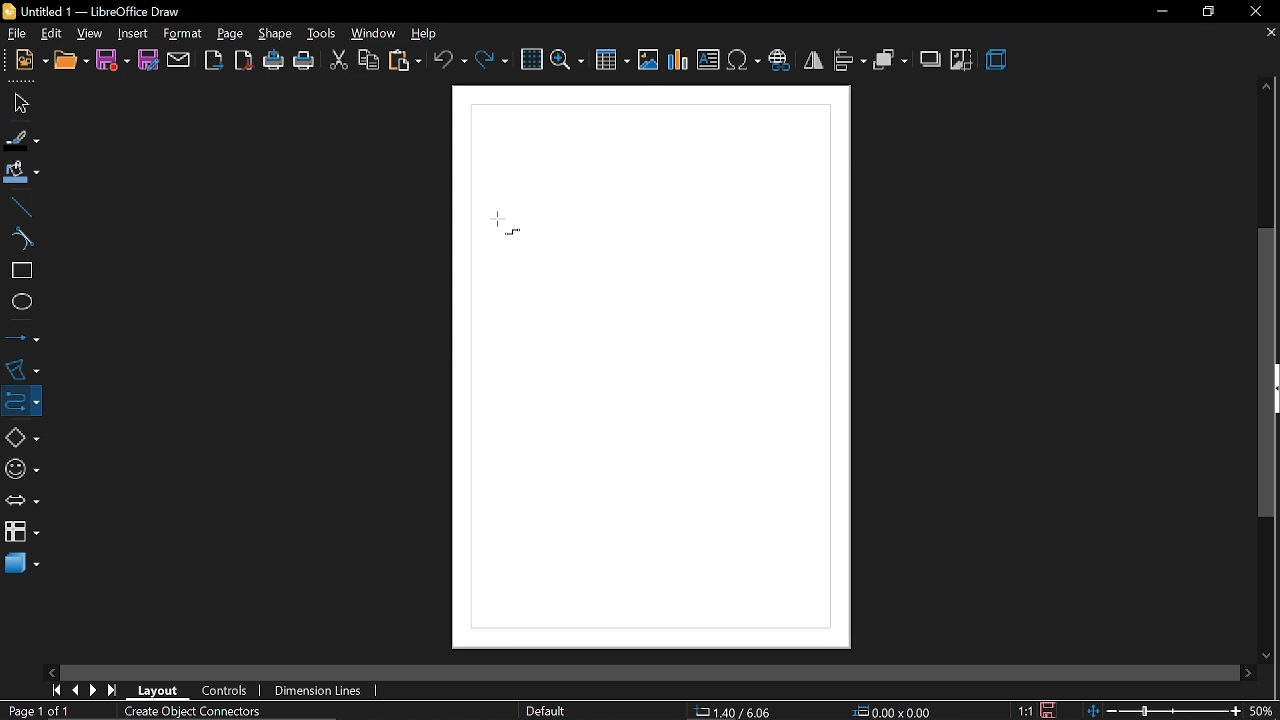  Describe the element at coordinates (22, 533) in the screenshot. I see `flowchart` at that location.